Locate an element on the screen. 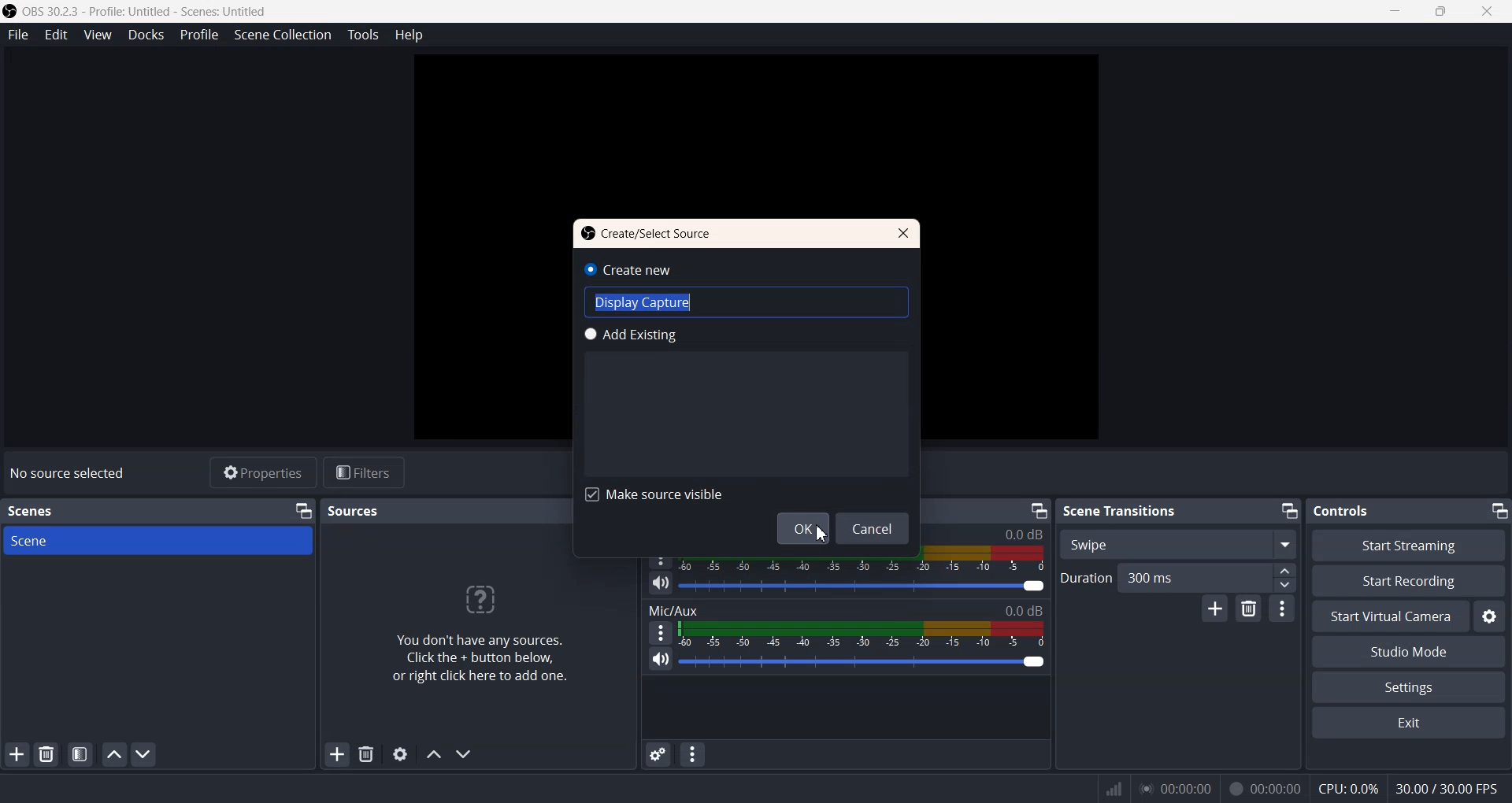 This screenshot has width=1512, height=803. Filters is located at coordinates (363, 472).